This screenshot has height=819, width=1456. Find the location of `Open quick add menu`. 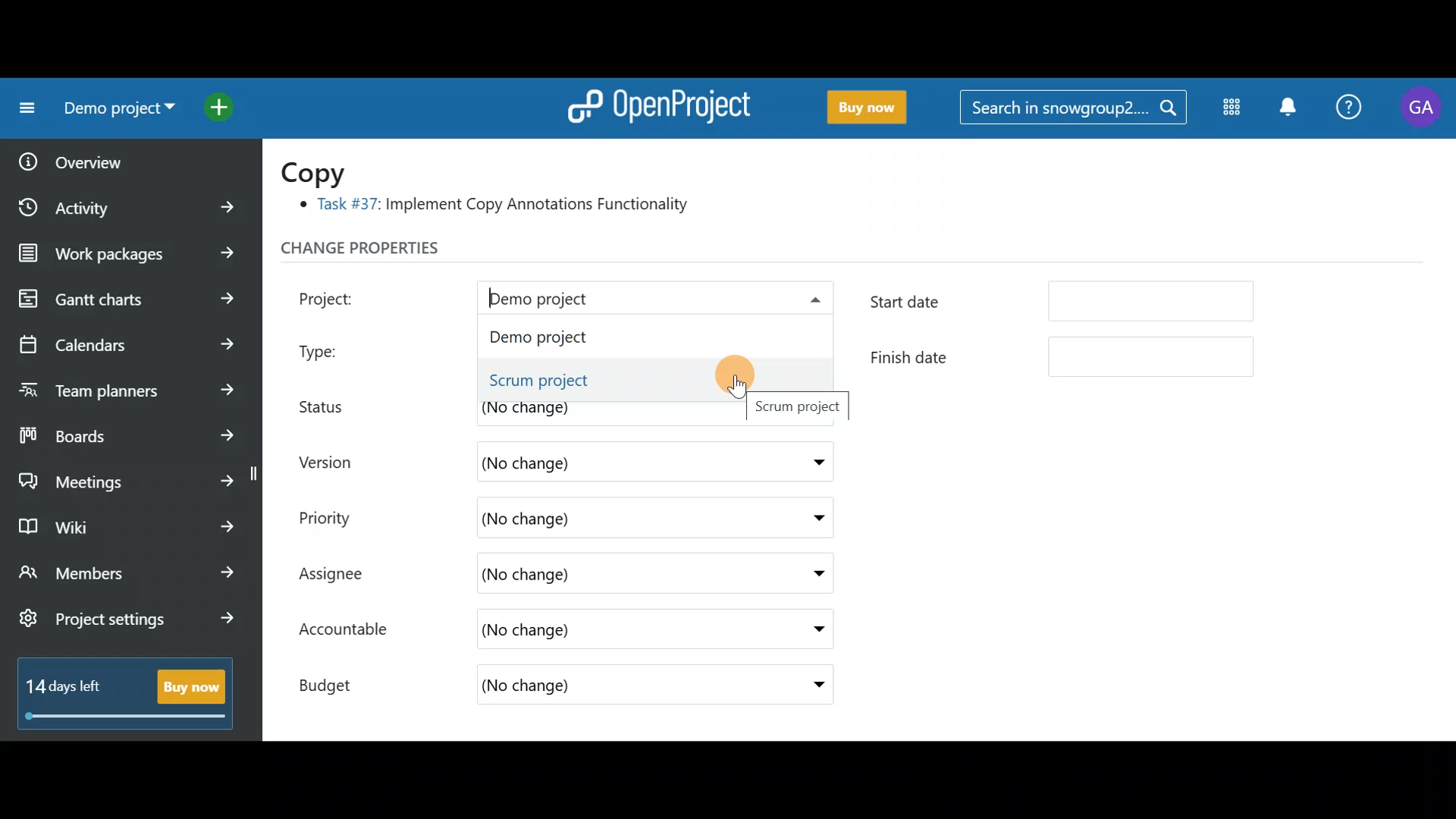

Open quick add menu is located at coordinates (223, 104).